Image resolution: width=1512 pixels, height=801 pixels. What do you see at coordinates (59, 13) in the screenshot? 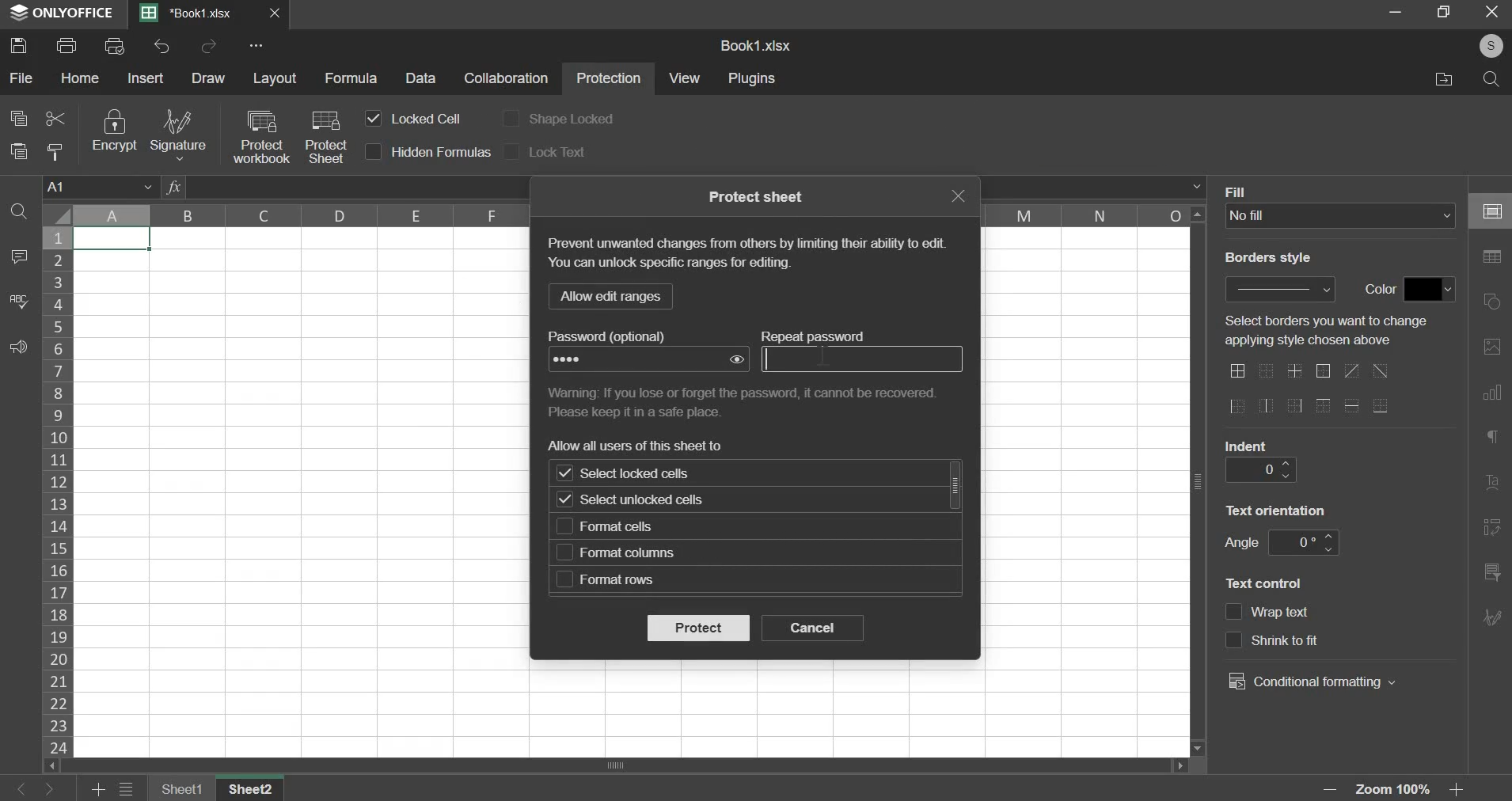
I see `ONLYOFFICE` at bounding box center [59, 13].